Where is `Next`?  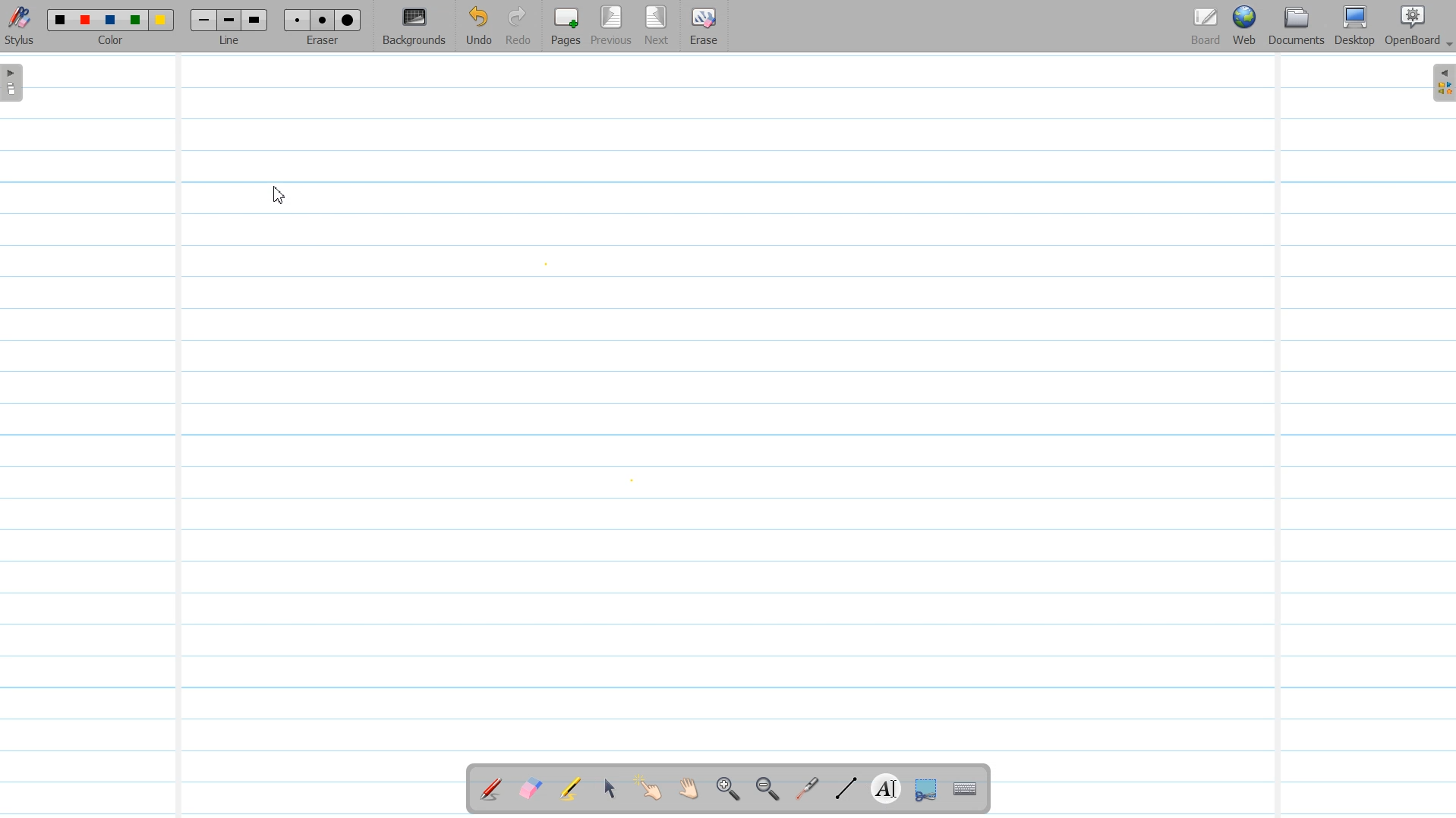
Next is located at coordinates (657, 27).